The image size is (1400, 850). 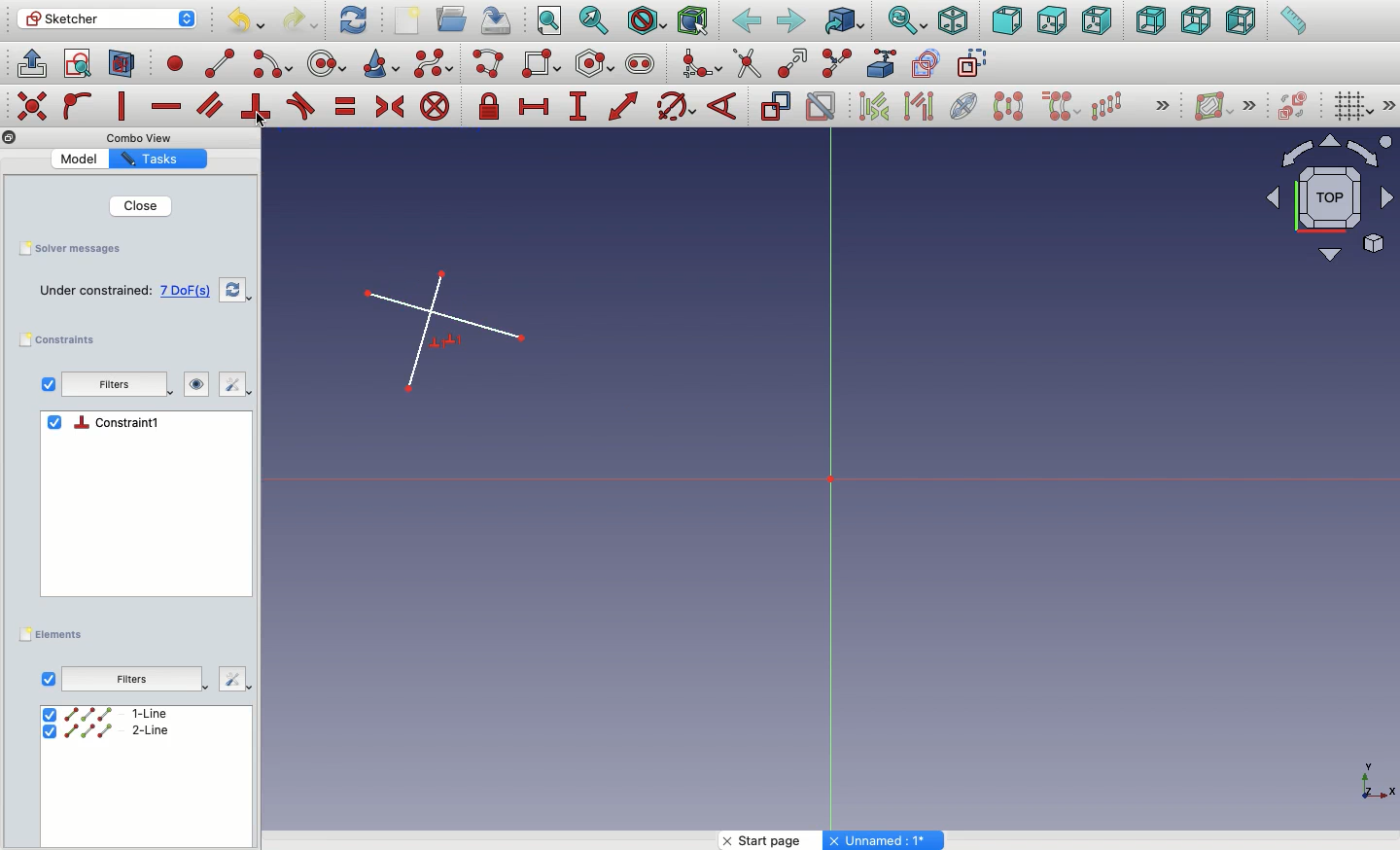 I want to click on View, so click(x=48, y=678).